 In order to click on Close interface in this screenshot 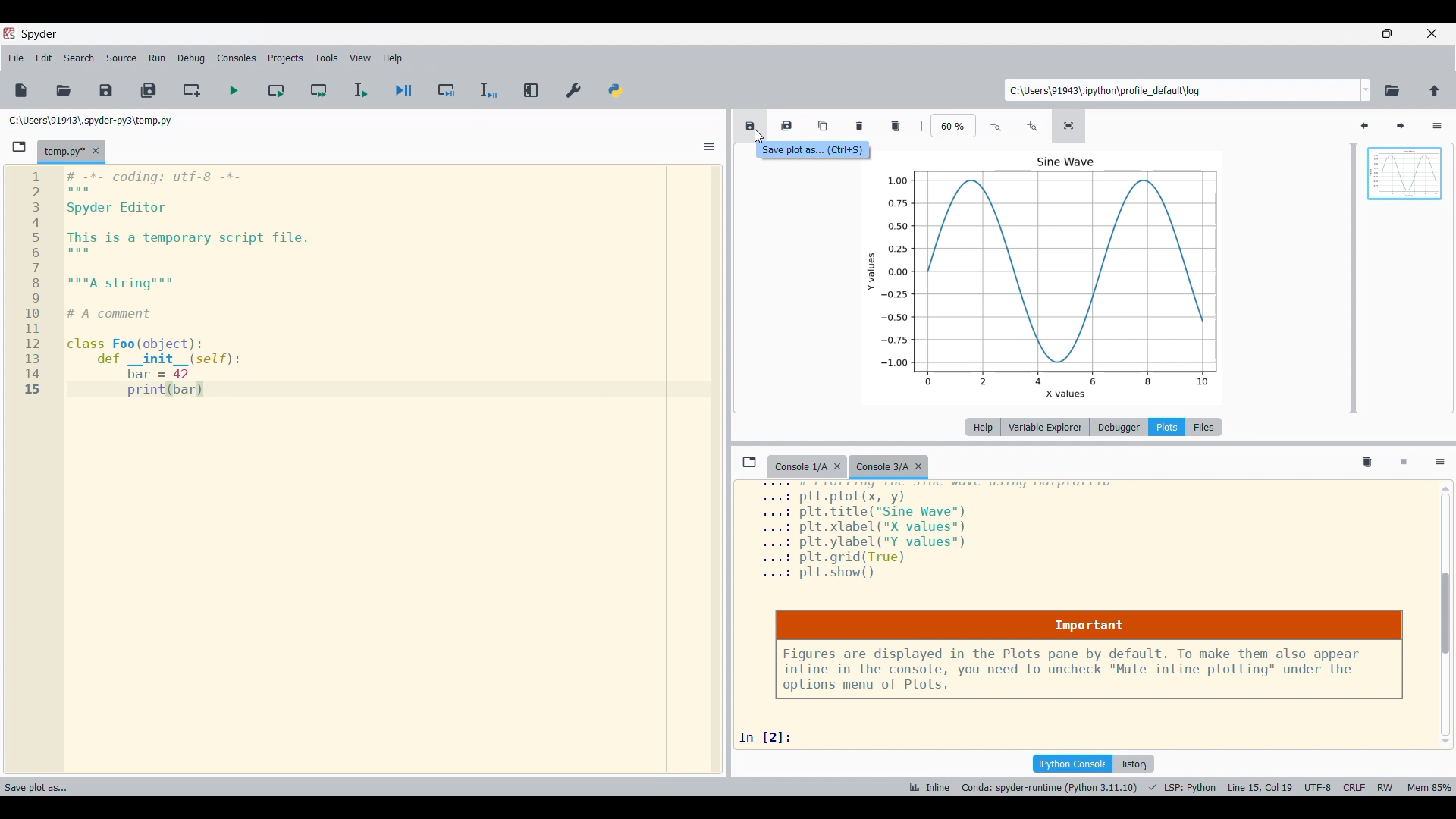, I will do `click(1432, 33)`.